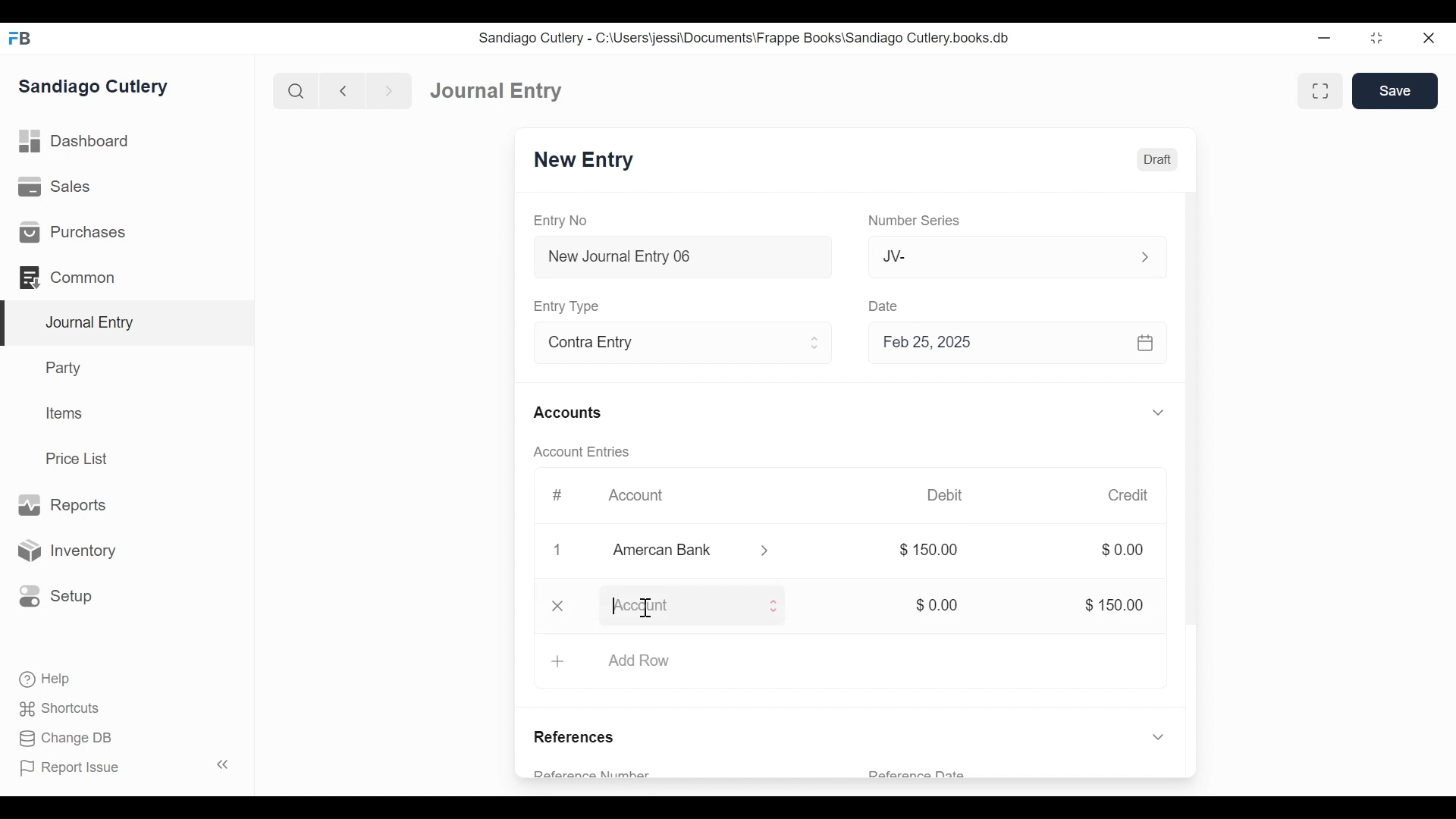 The image size is (1456, 819). Describe the element at coordinates (1145, 257) in the screenshot. I see `Expand` at that location.